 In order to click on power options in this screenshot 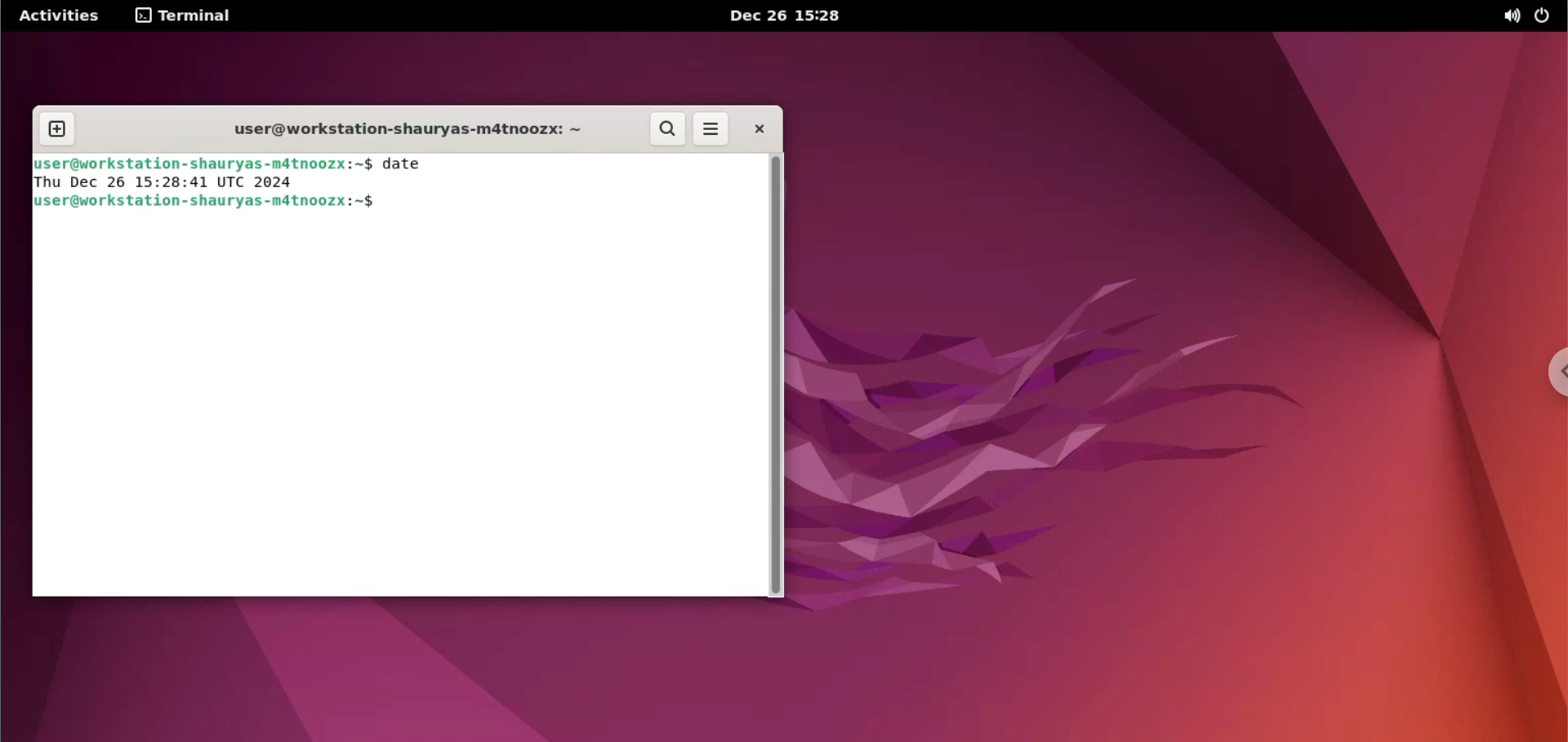, I will do `click(1541, 16)`.